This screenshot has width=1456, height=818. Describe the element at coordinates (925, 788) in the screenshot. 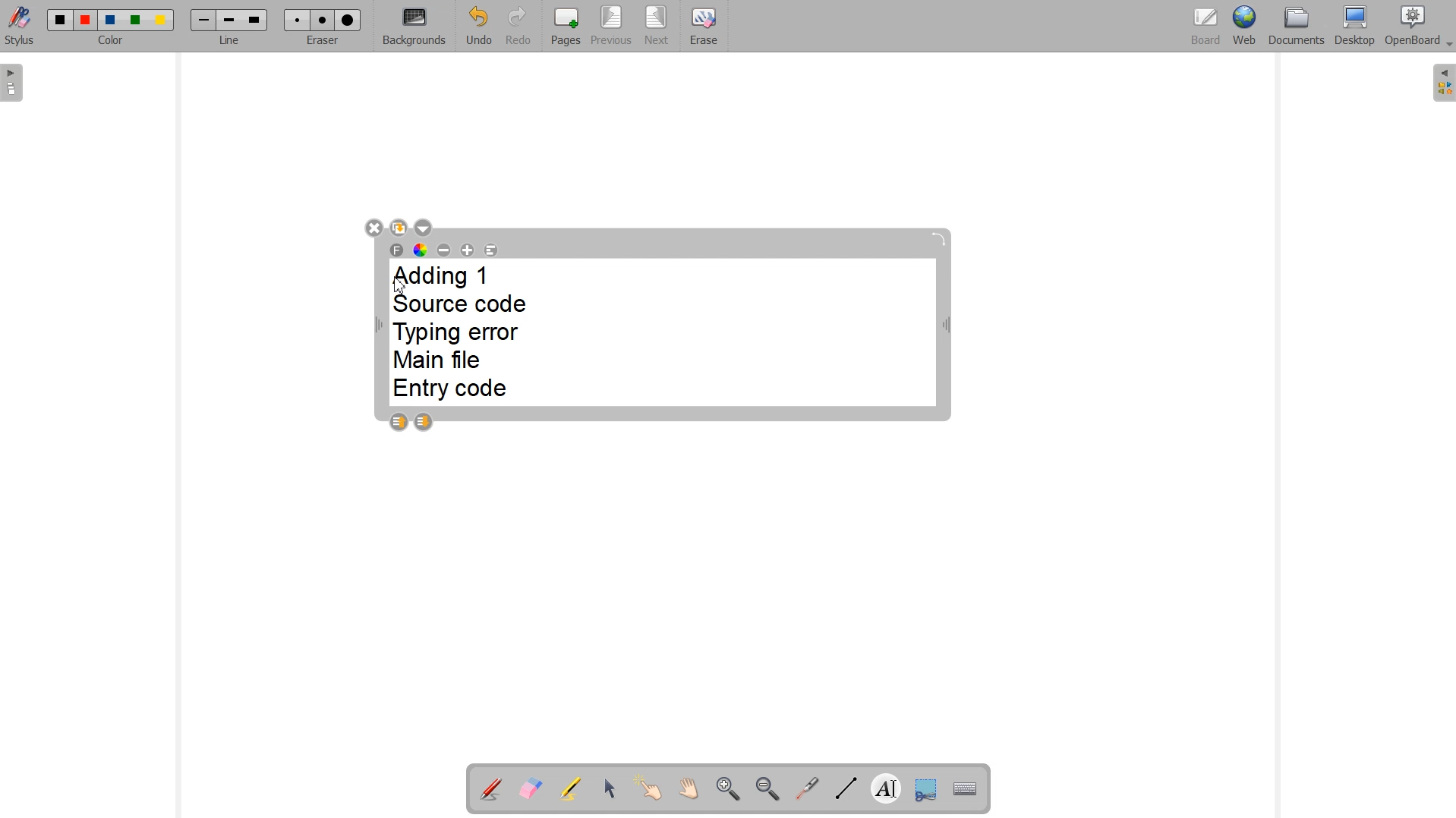

I see `Capture part of the screen` at that location.